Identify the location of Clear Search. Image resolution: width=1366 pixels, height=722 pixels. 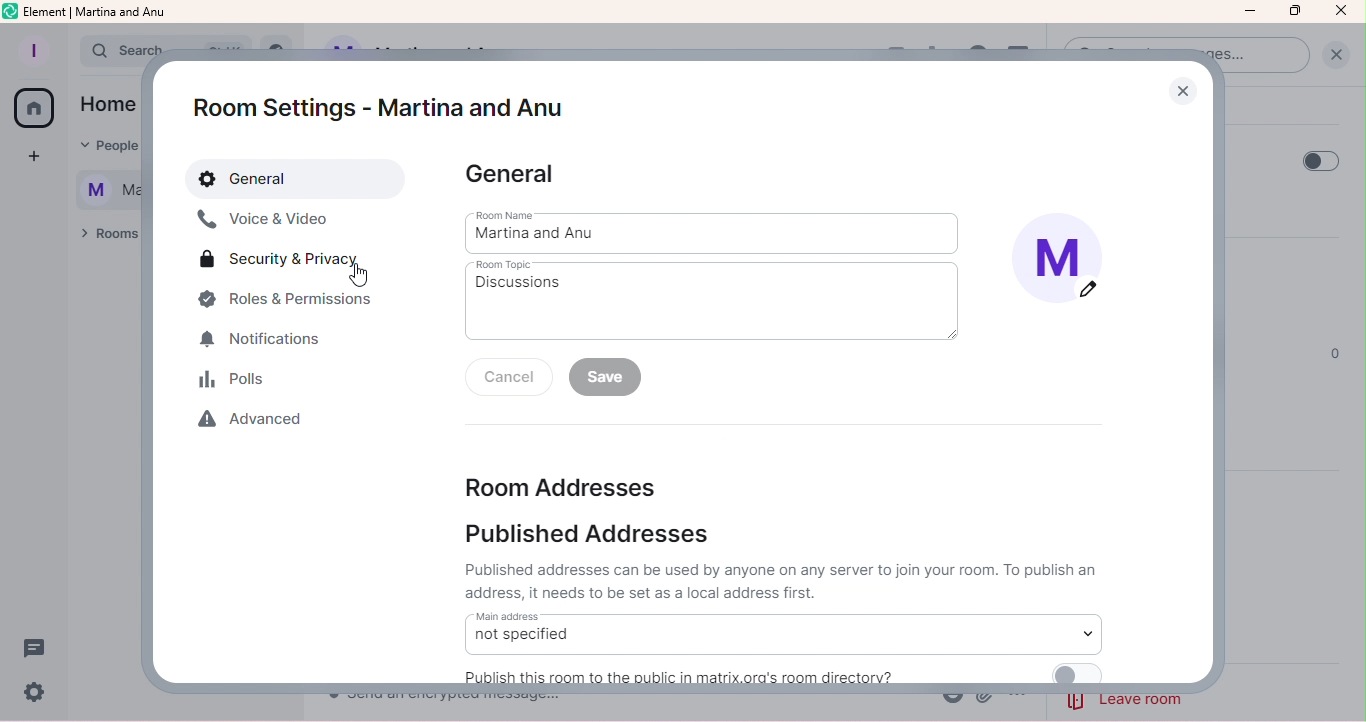
(1333, 60).